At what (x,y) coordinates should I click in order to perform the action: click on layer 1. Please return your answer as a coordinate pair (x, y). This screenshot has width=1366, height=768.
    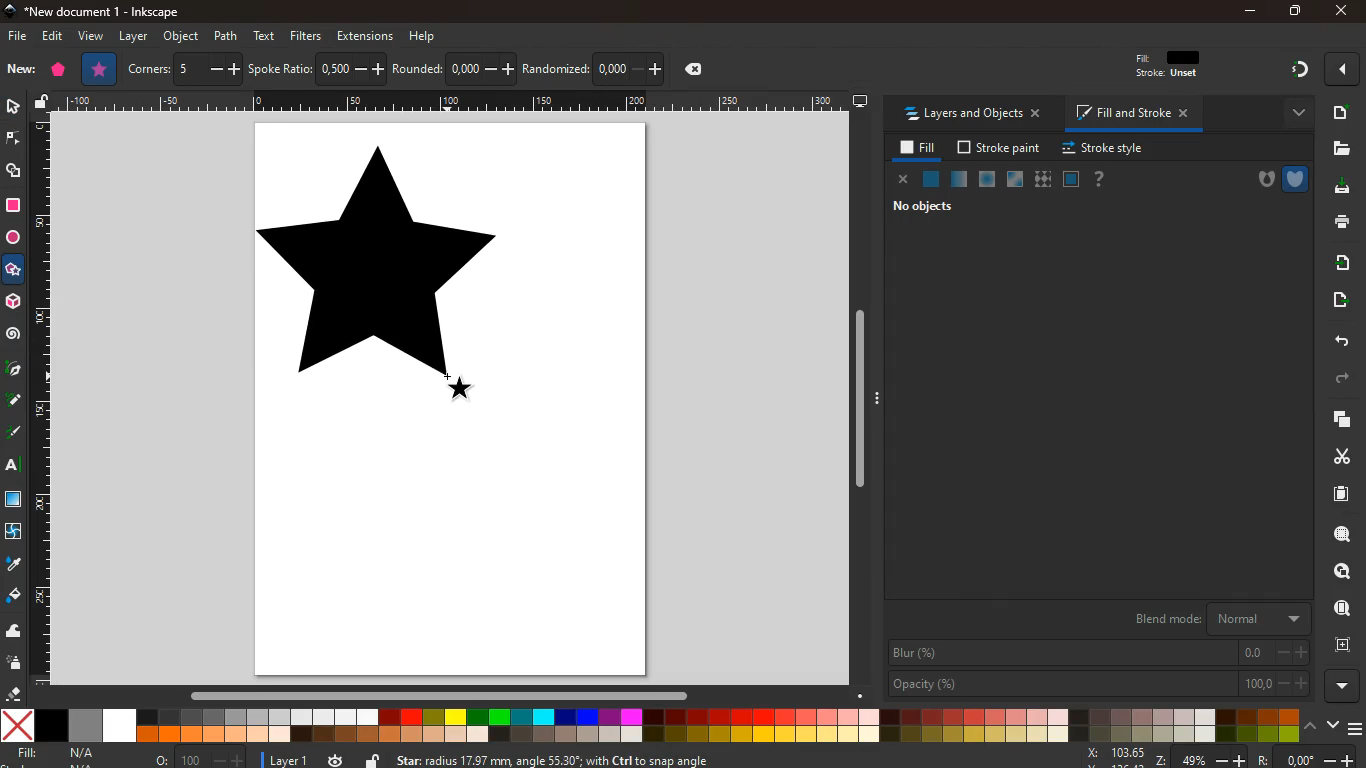
    Looking at the image, I should click on (293, 760).